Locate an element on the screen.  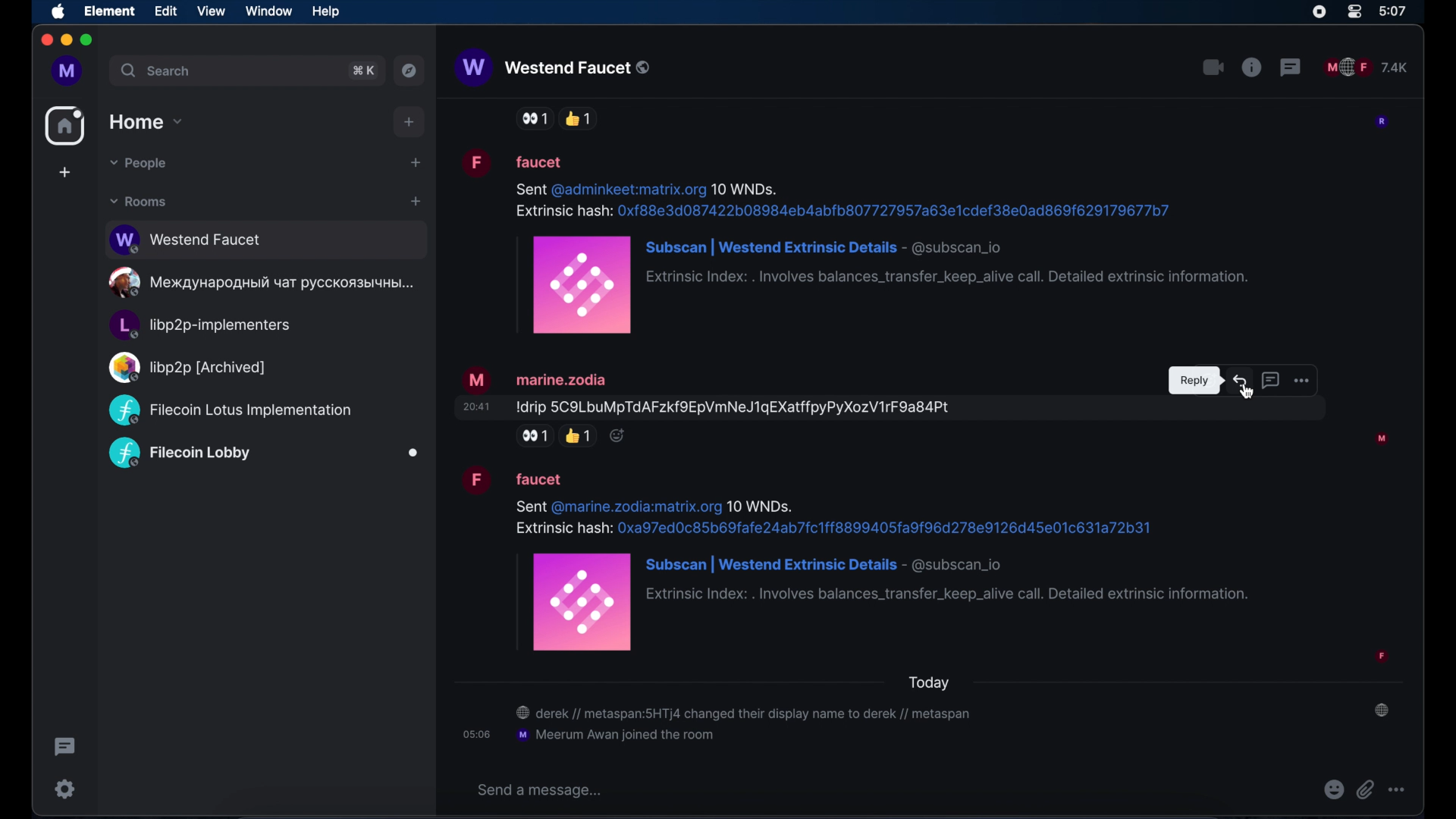
emojis is located at coordinates (1333, 789).